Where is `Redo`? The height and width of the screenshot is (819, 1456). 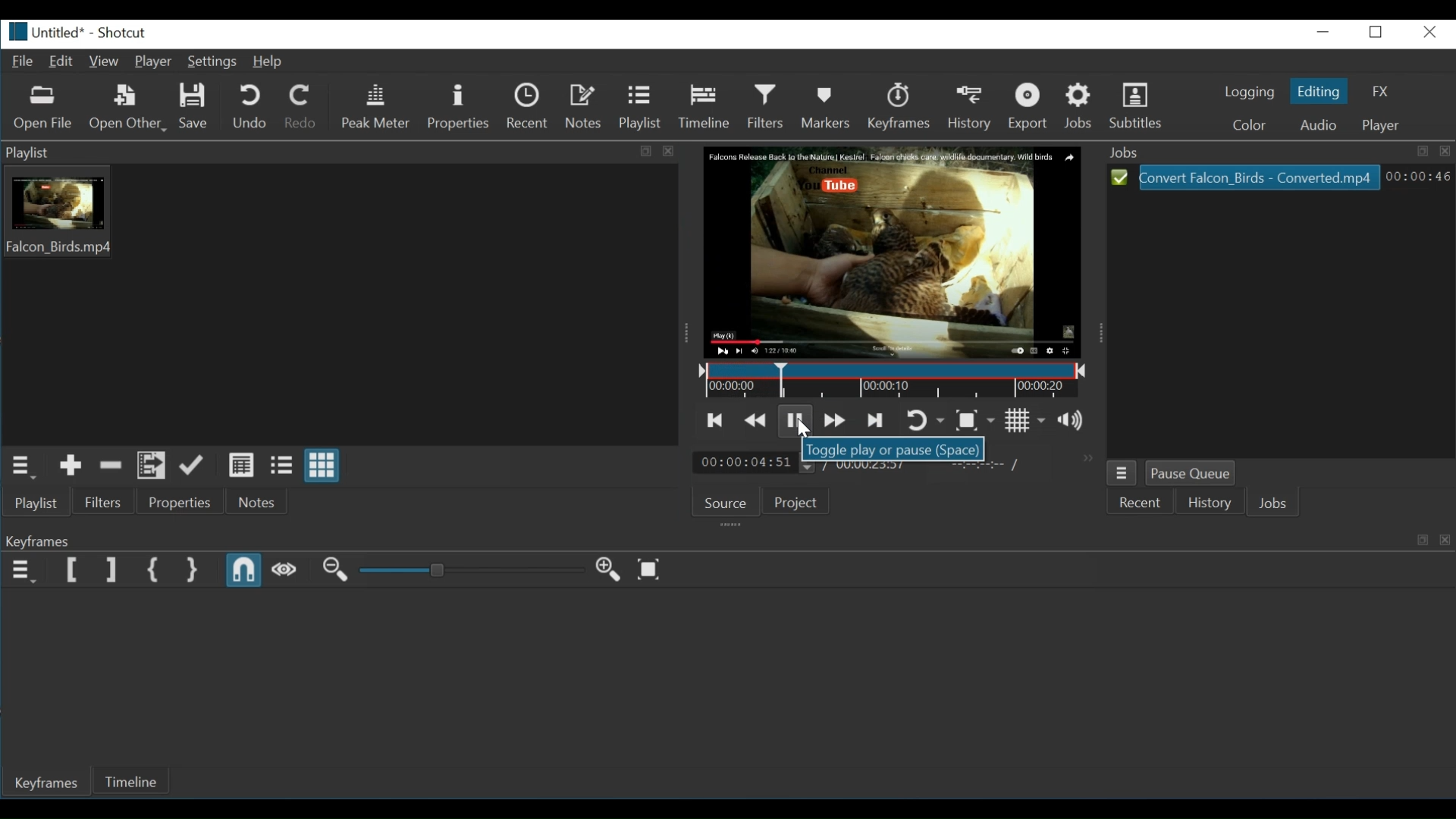 Redo is located at coordinates (301, 105).